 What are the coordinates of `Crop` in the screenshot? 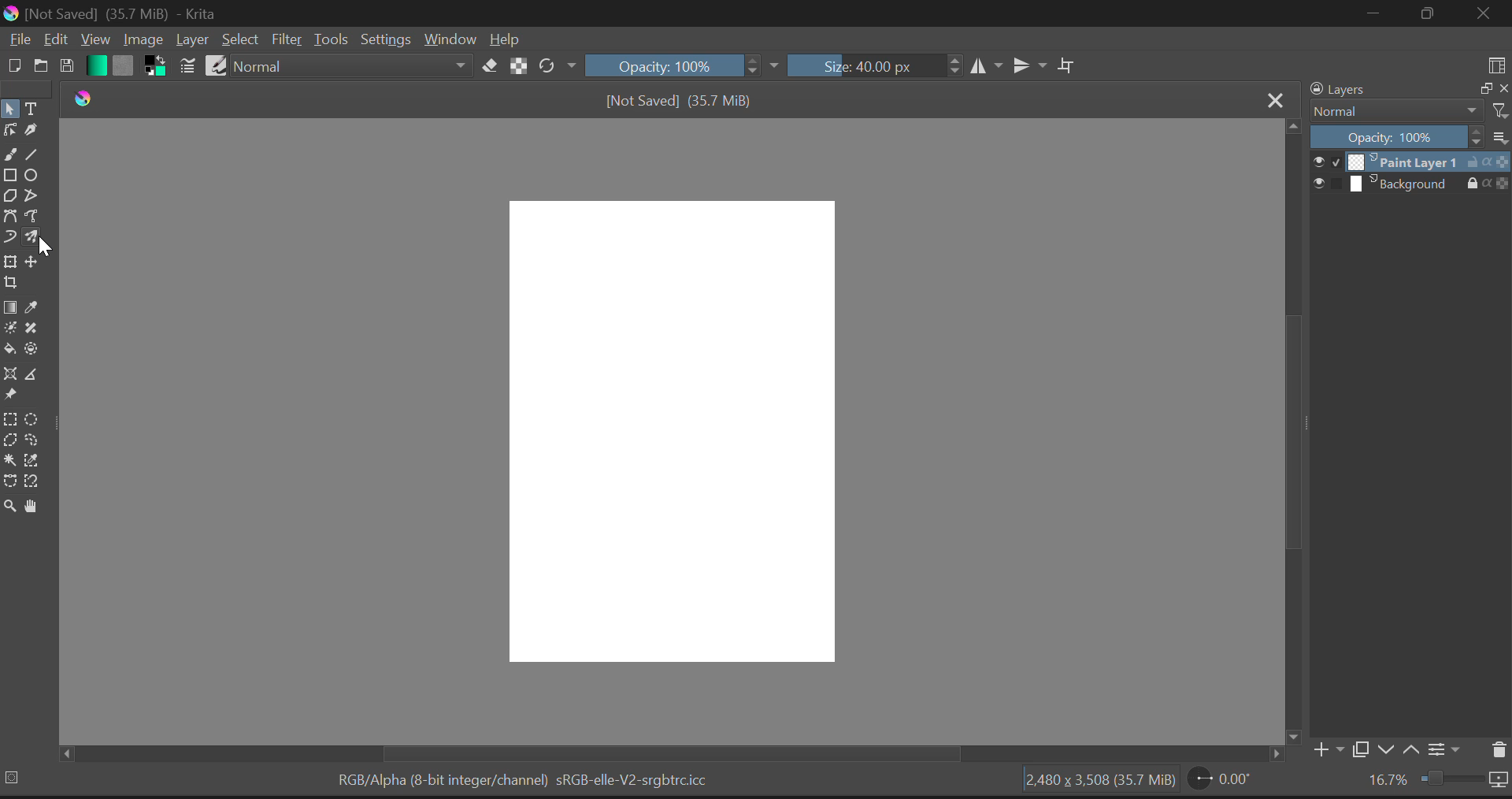 It's located at (1069, 65).